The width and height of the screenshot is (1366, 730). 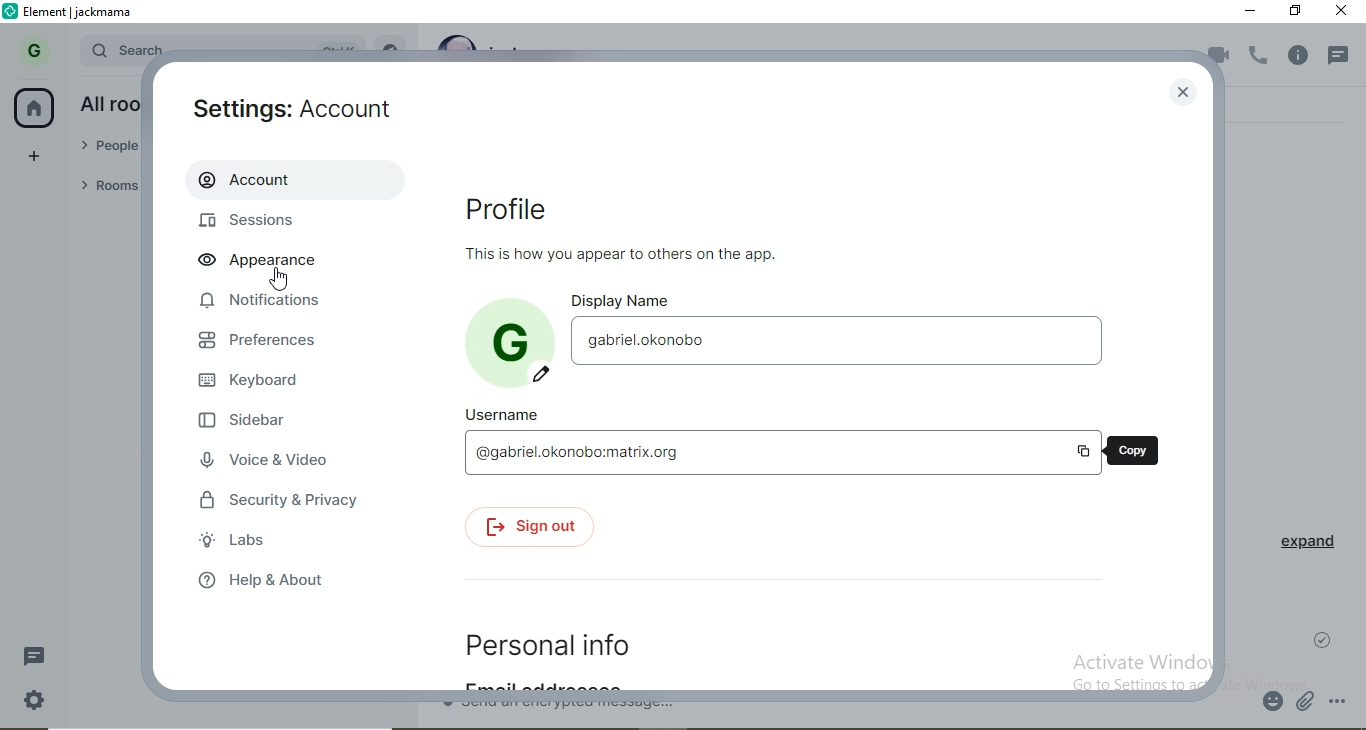 I want to click on appearance, so click(x=252, y=258).